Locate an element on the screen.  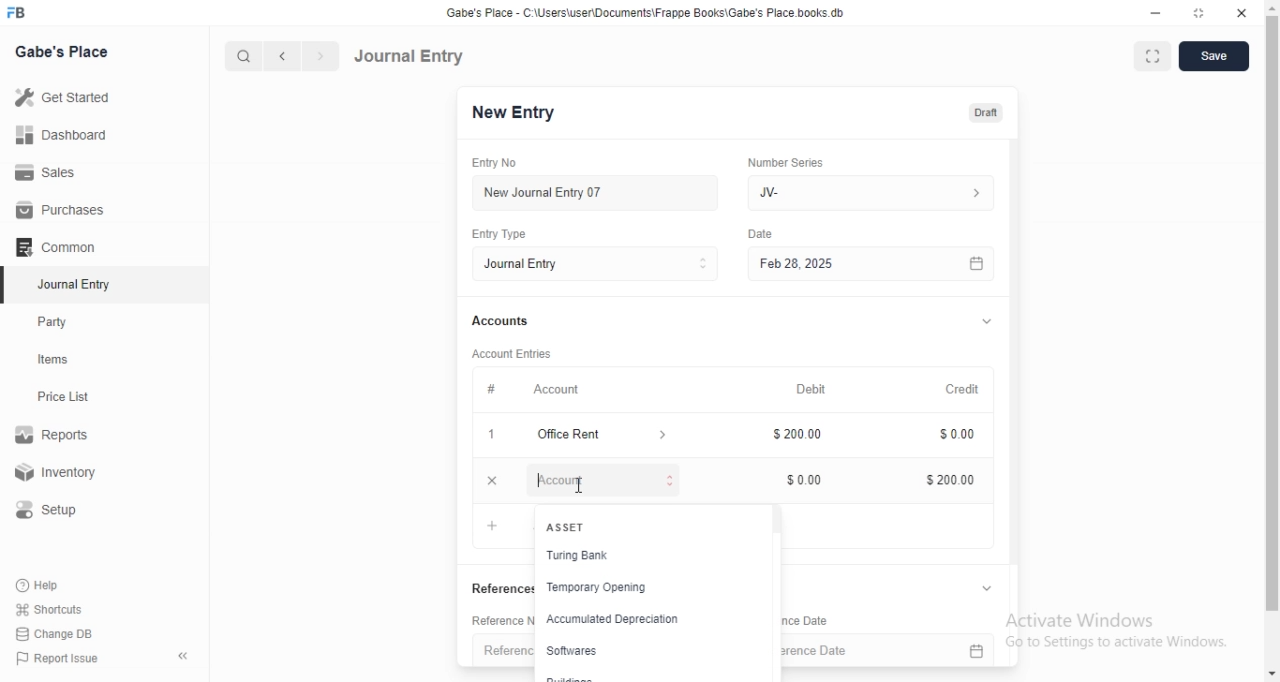
‘Report Issue is located at coordinates (55, 658).